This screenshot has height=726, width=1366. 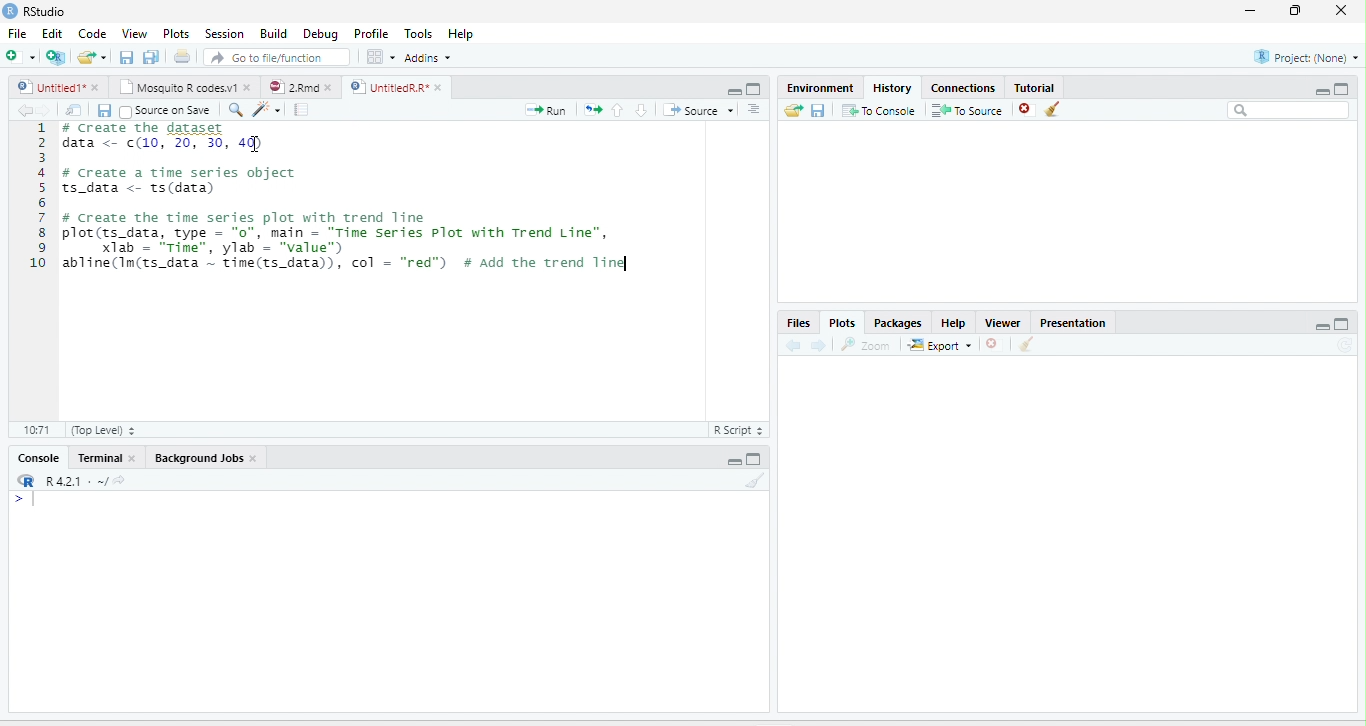 I want to click on Build, so click(x=273, y=33).